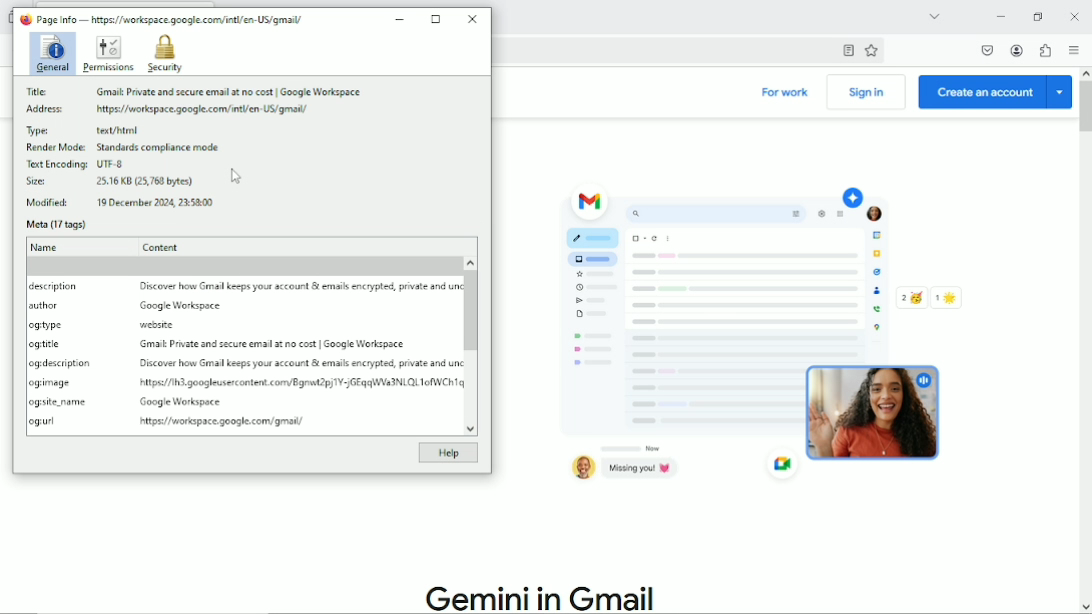 Image resolution: width=1092 pixels, height=614 pixels. I want to click on https://google.netcontent.com/, so click(302, 383).